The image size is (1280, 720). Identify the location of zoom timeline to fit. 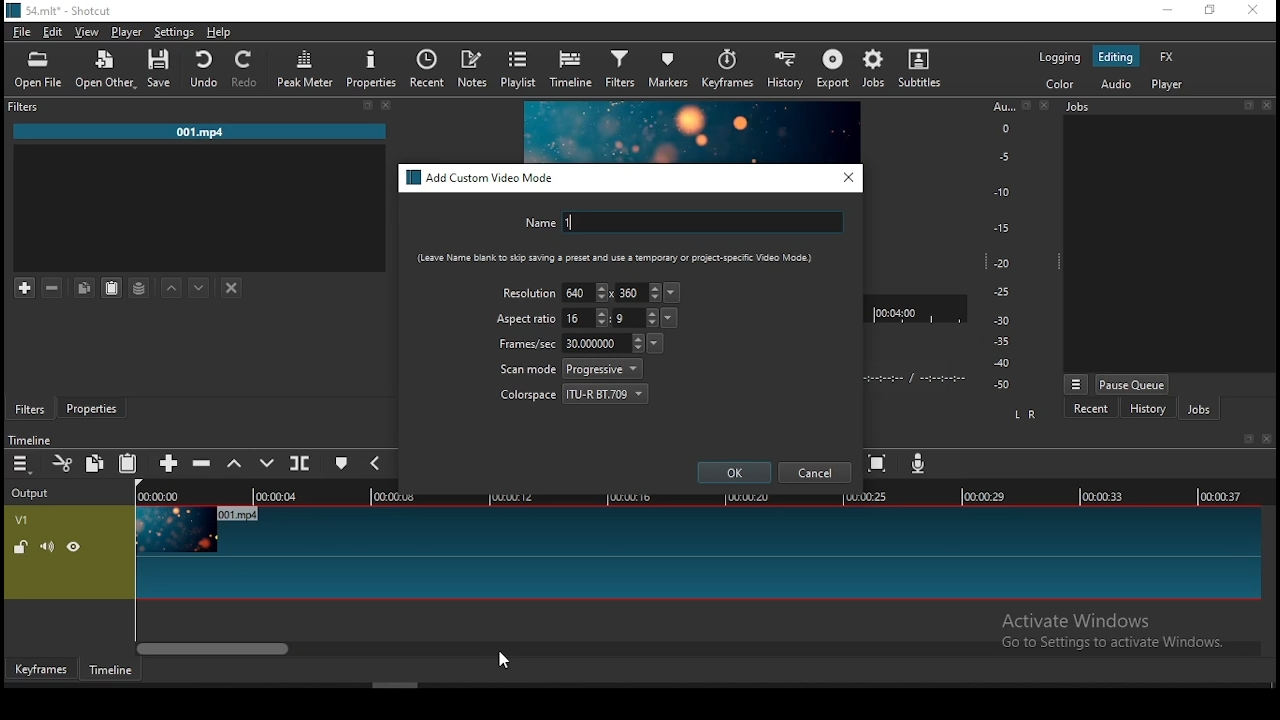
(879, 465).